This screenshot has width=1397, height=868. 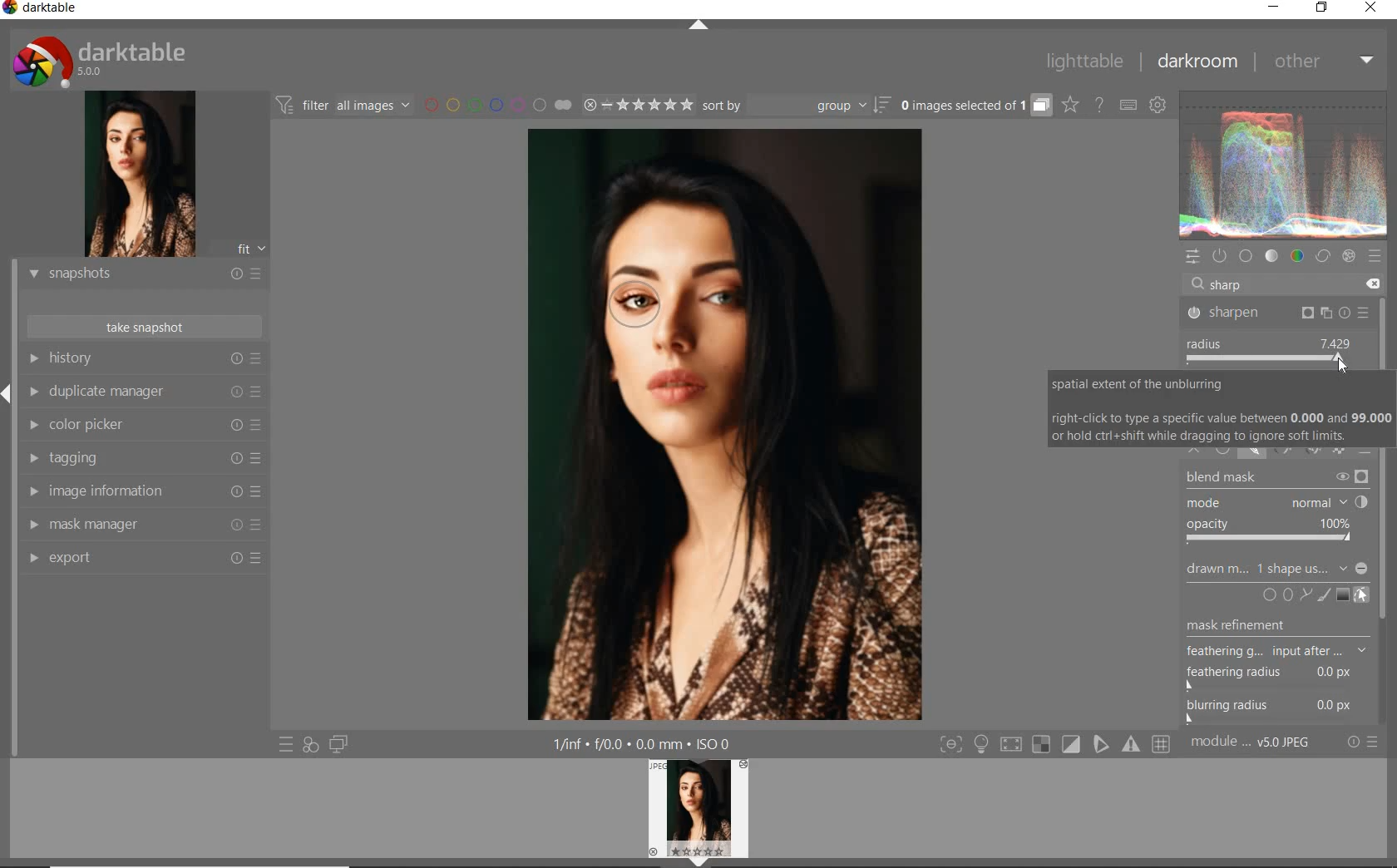 I want to click on color picker, so click(x=144, y=425).